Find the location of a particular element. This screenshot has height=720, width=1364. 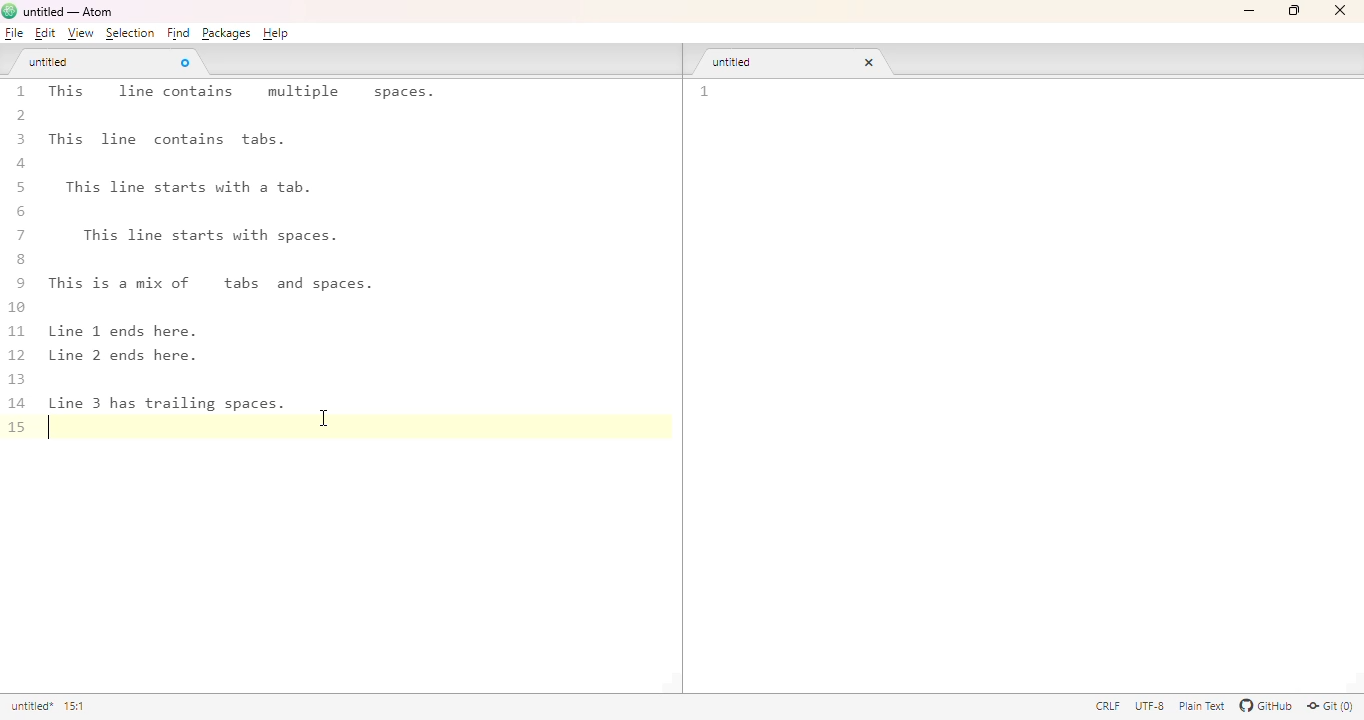

minimize is located at coordinates (1251, 11).